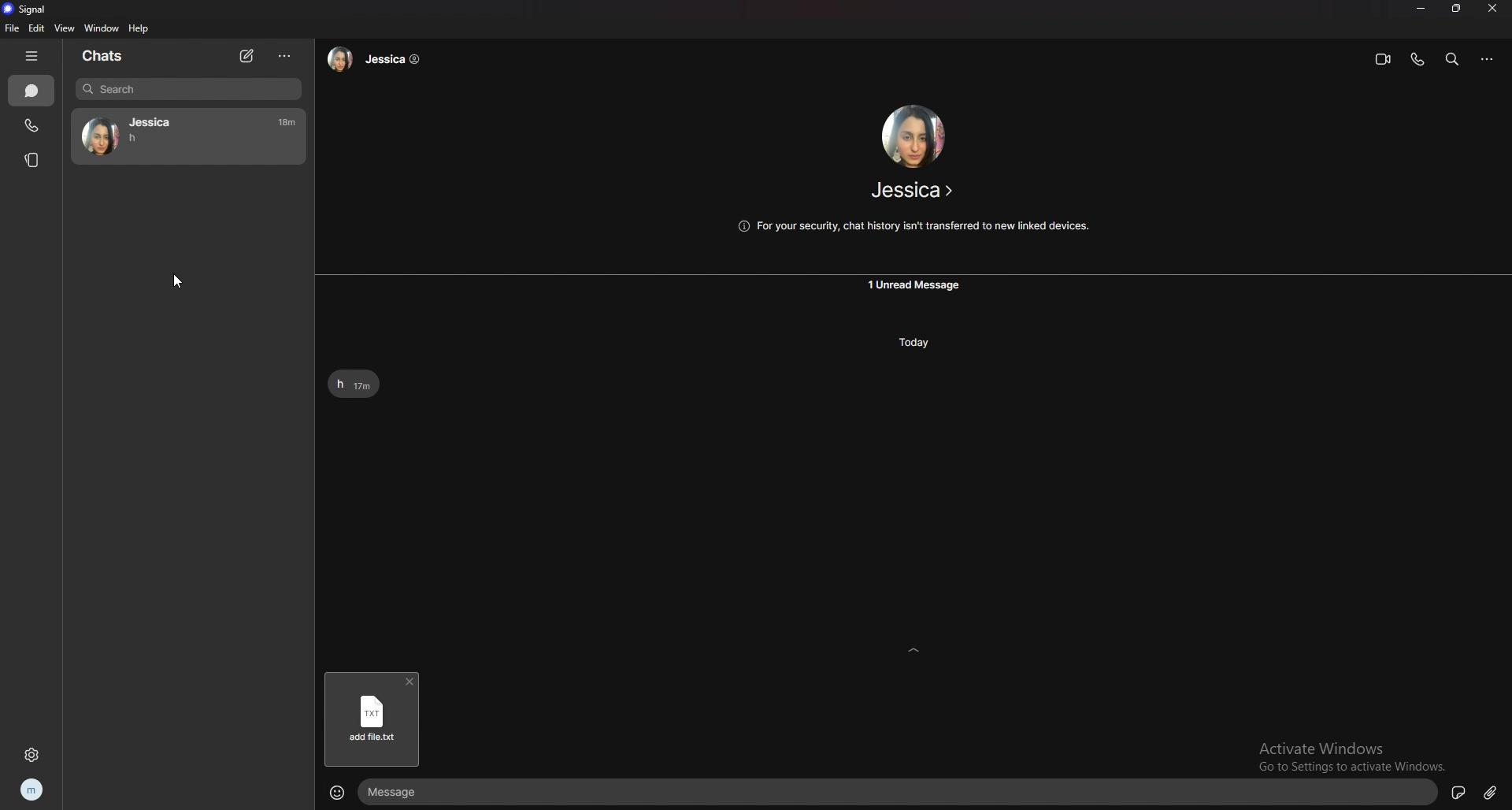 The width and height of the screenshot is (1512, 810). Describe the element at coordinates (135, 139) in the screenshot. I see `h` at that location.